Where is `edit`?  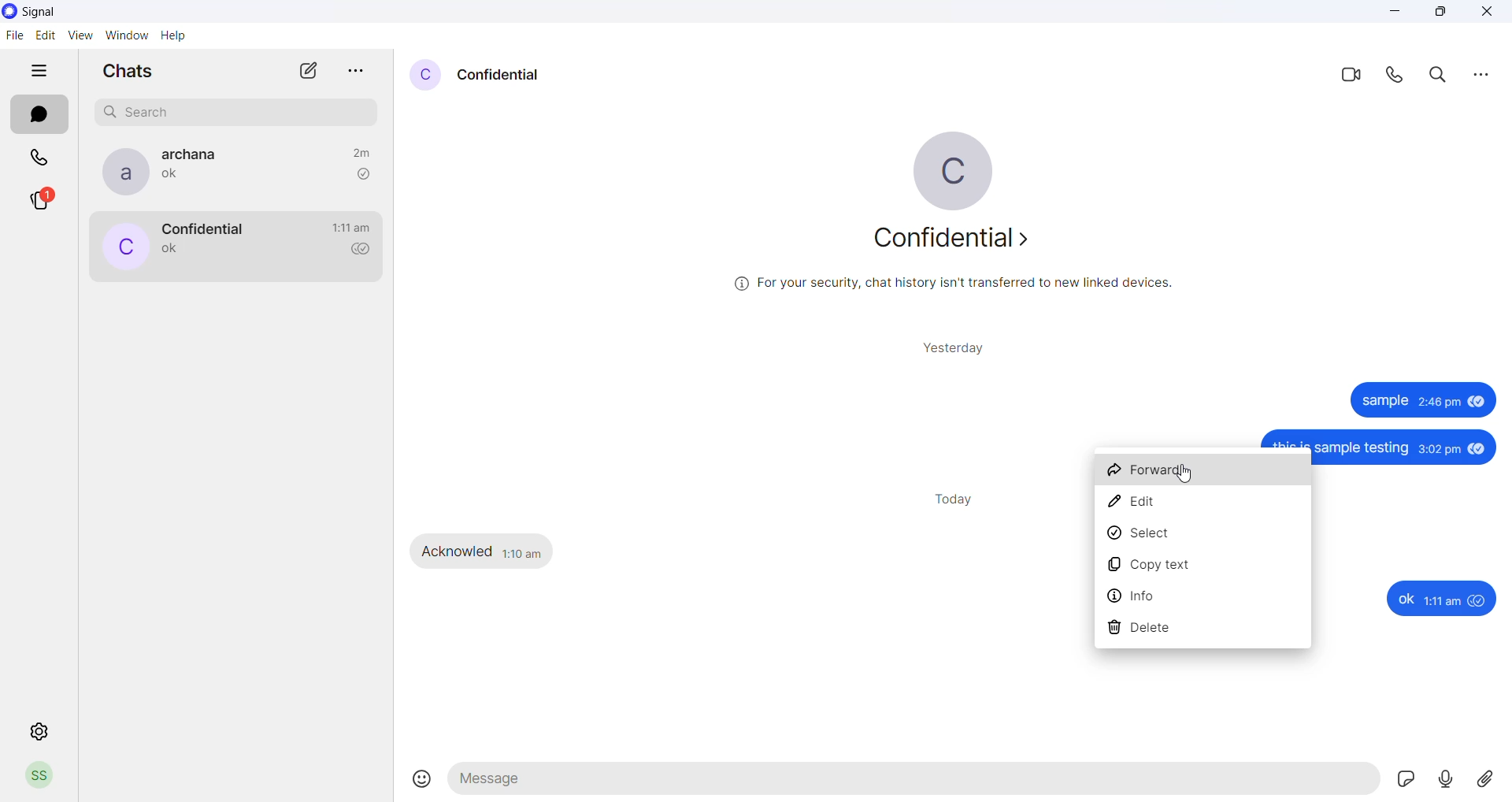
edit is located at coordinates (46, 35).